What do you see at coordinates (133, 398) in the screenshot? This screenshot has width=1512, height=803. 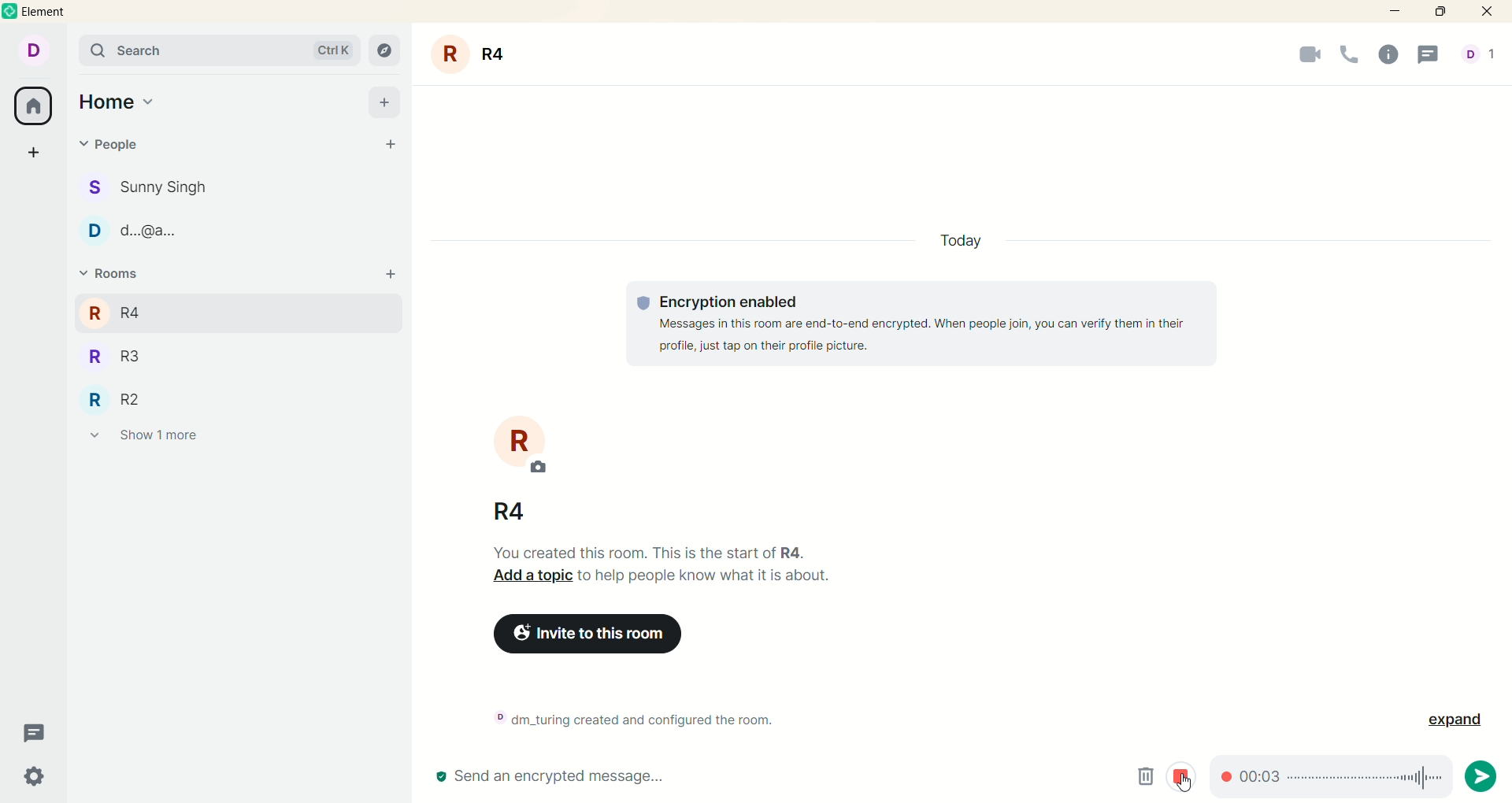 I see `R2` at bounding box center [133, 398].